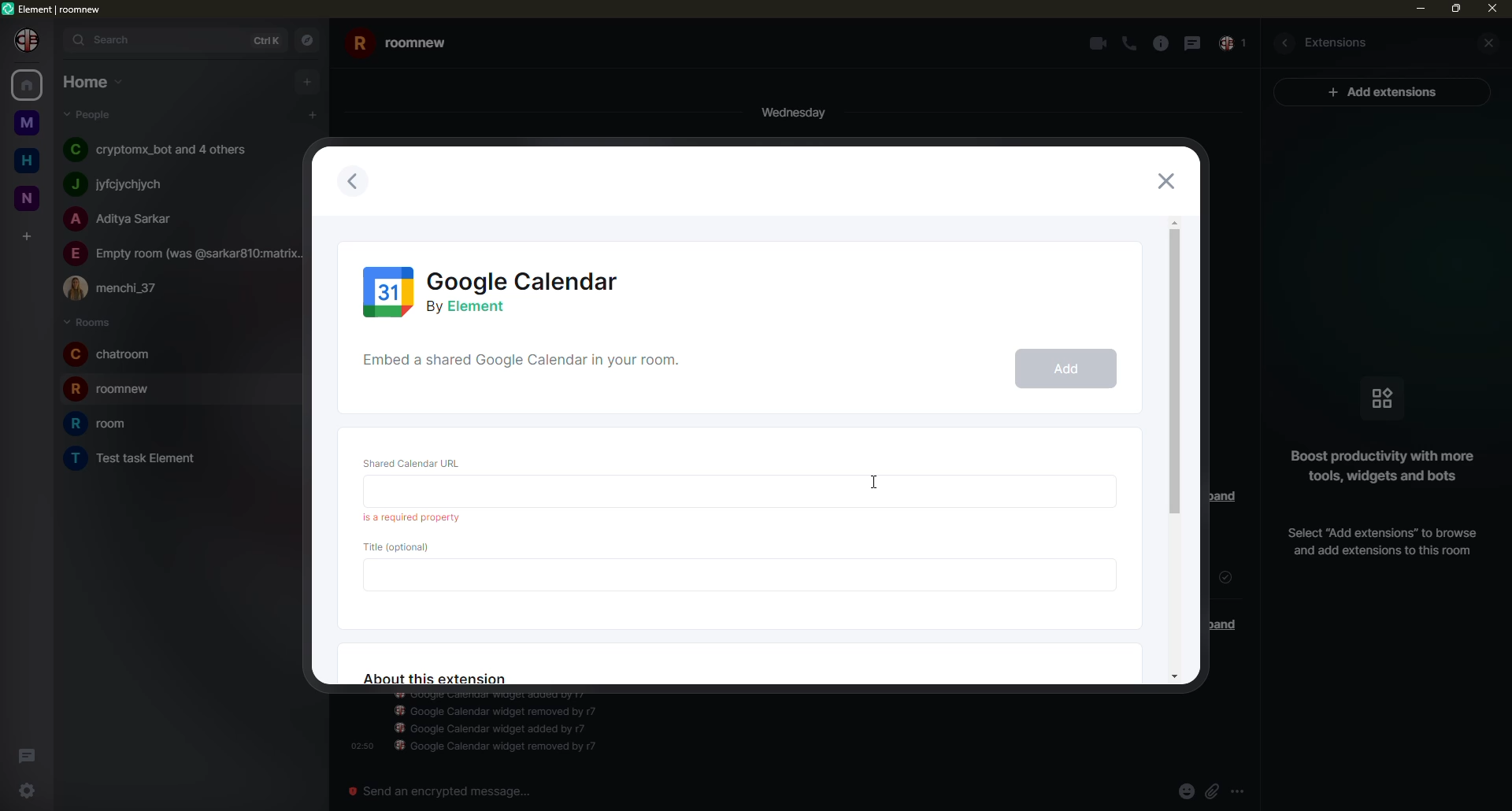  Describe the element at coordinates (1236, 791) in the screenshot. I see `more` at that location.